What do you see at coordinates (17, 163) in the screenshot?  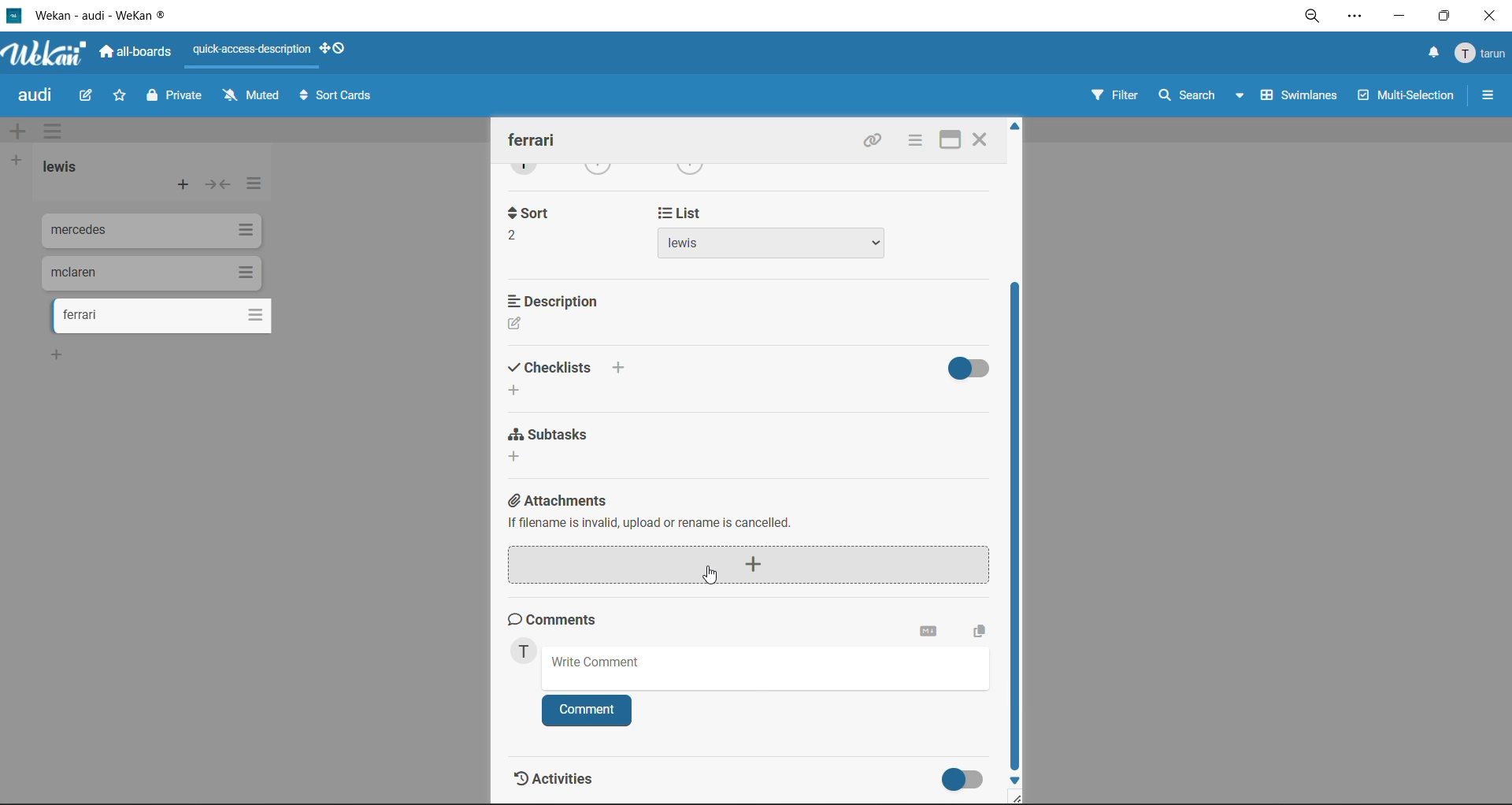 I see `add list` at bounding box center [17, 163].